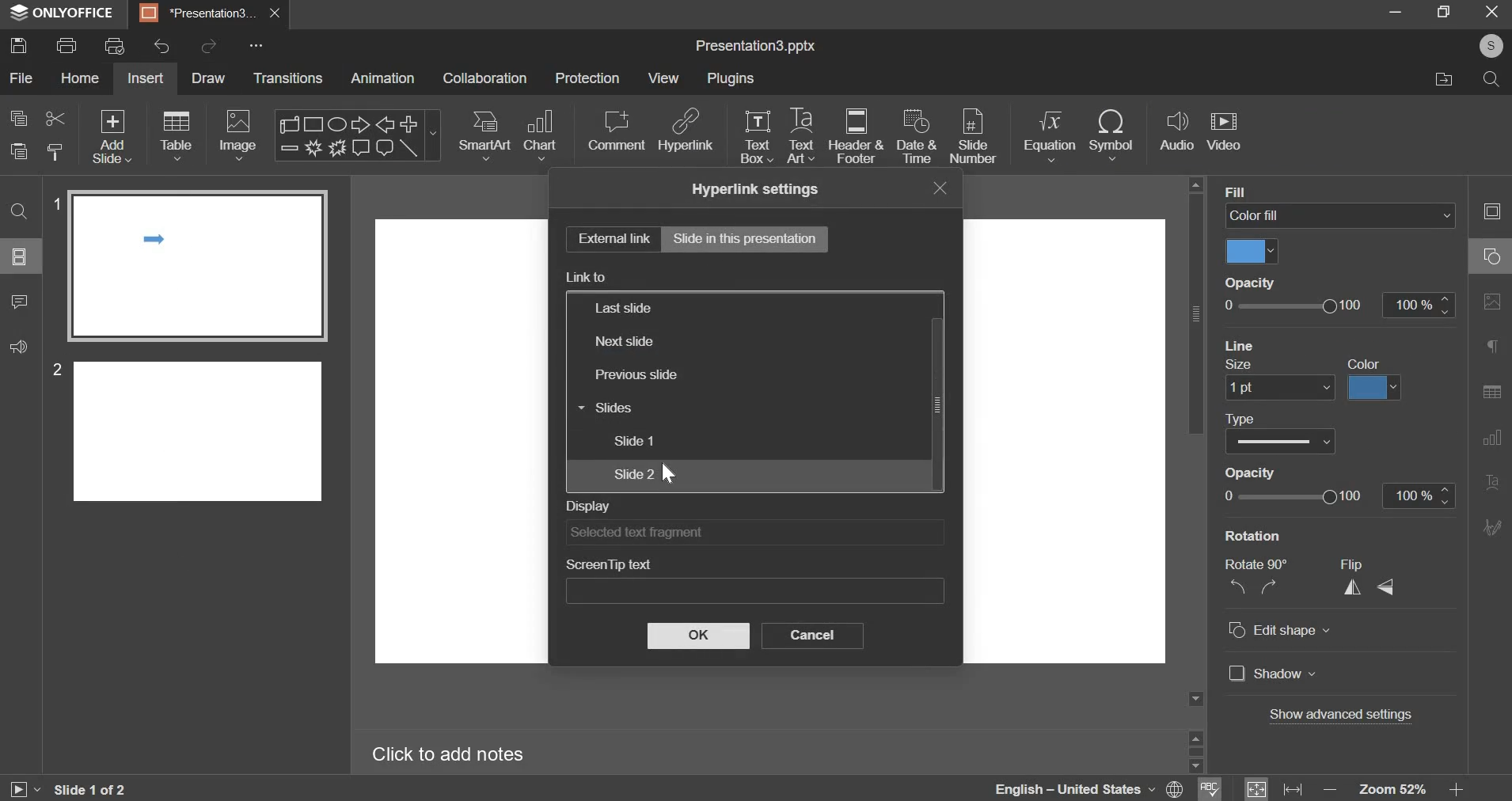 This screenshot has height=801, width=1512. What do you see at coordinates (435, 138) in the screenshot?
I see `more shapes` at bounding box center [435, 138].